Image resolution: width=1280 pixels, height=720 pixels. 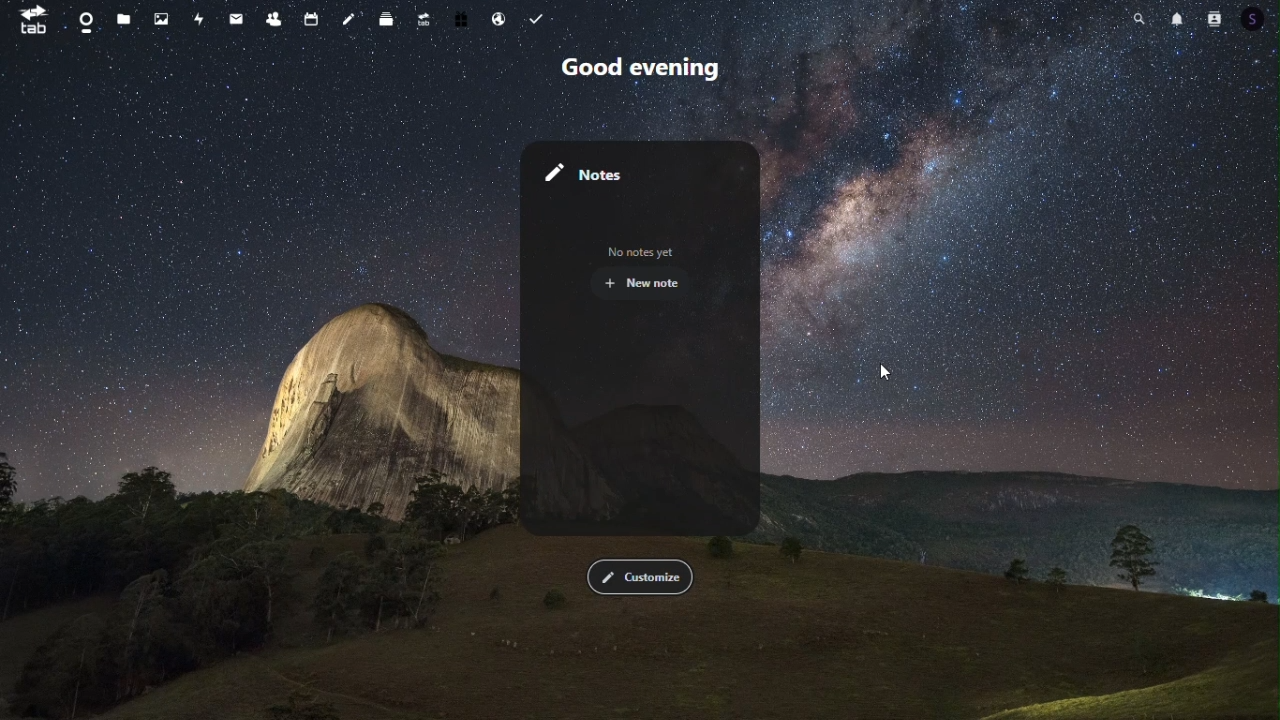 What do you see at coordinates (540, 17) in the screenshot?
I see `task` at bounding box center [540, 17].